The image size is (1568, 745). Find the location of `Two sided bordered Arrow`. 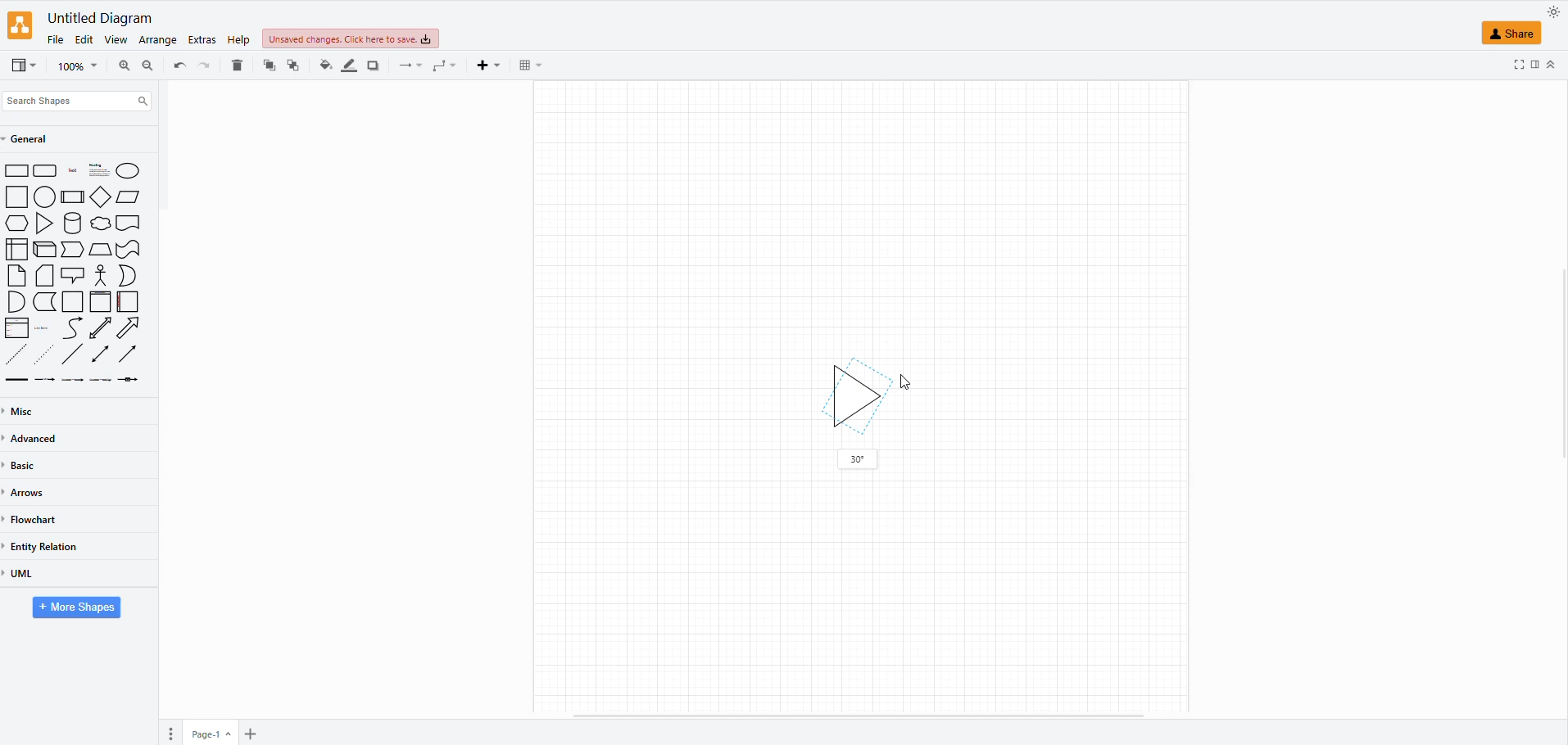

Two sided bordered Arrow is located at coordinates (100, 327).